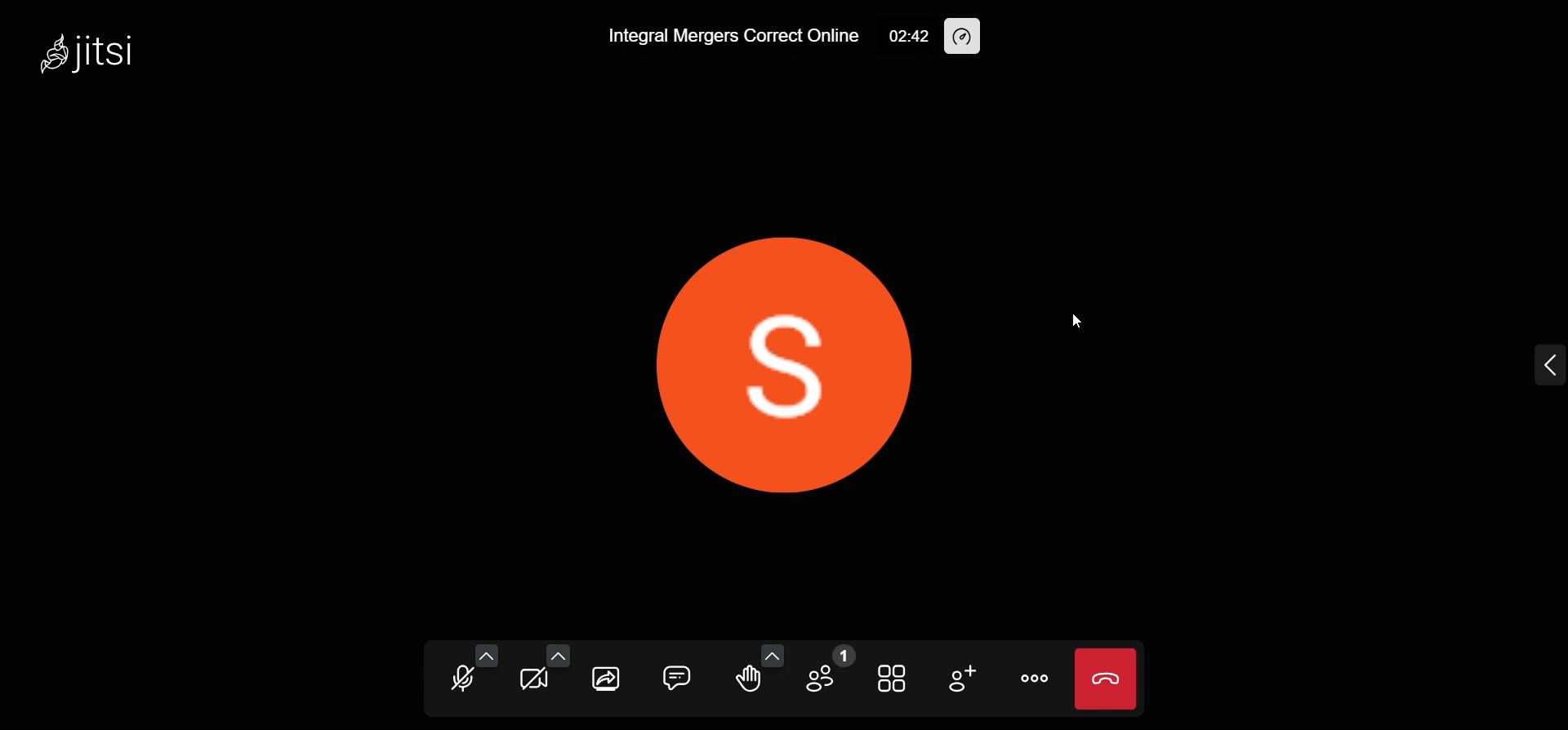 Image resolution: width=1568 pixels, height=730 pixels. Describe the element at coordinates (1080, 324) in the screenshot. I see `Cursor` at that location.